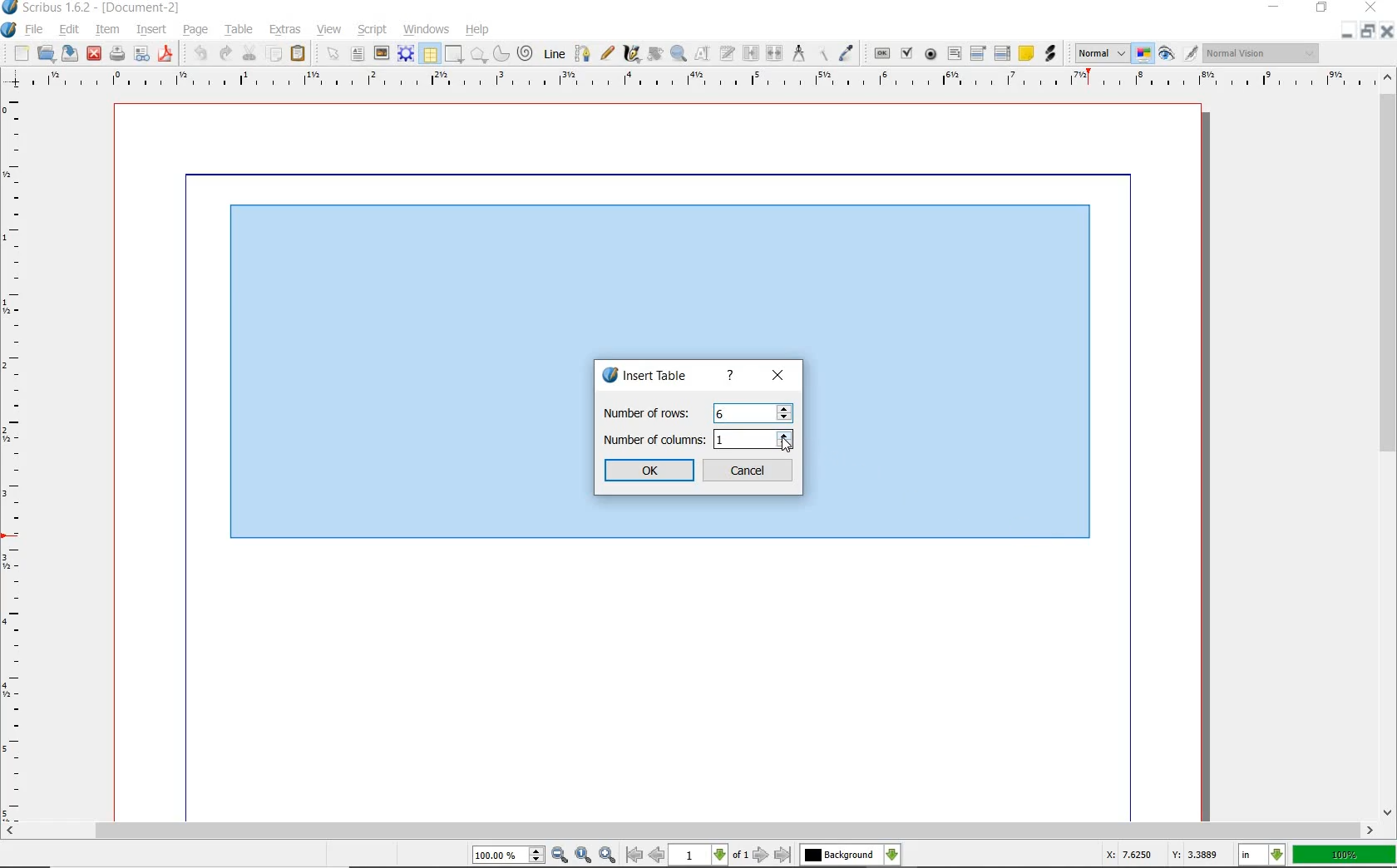 This screenshot has height=868, width=1397. What do you see at coordinates (850, 856) in the screenshot?
I see `select the current layer` at bounding box center [850, 856].